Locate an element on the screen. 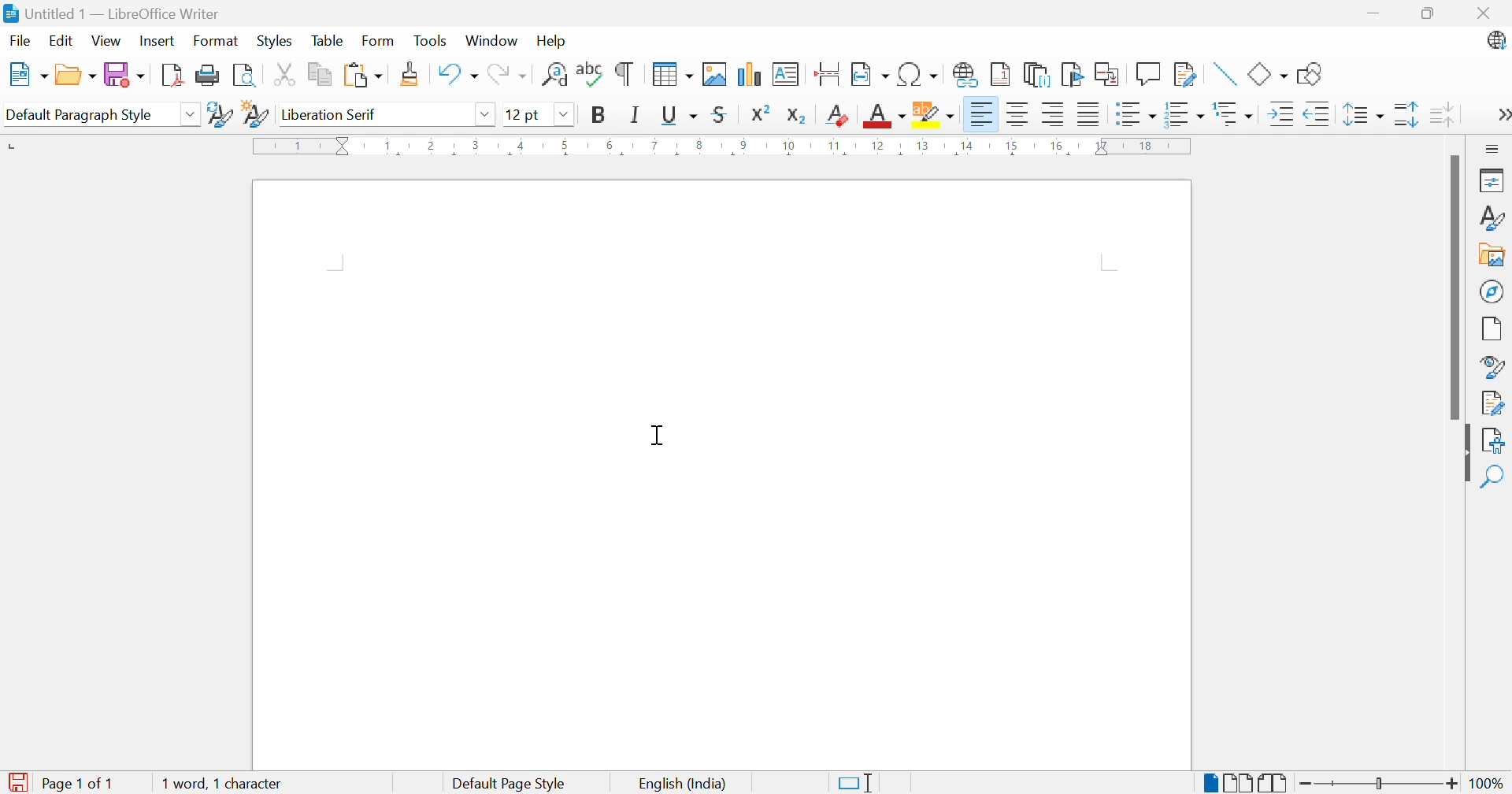 The height and width of the screenshot is (794, 1512). Slider is located at coordinates (1379, 783).